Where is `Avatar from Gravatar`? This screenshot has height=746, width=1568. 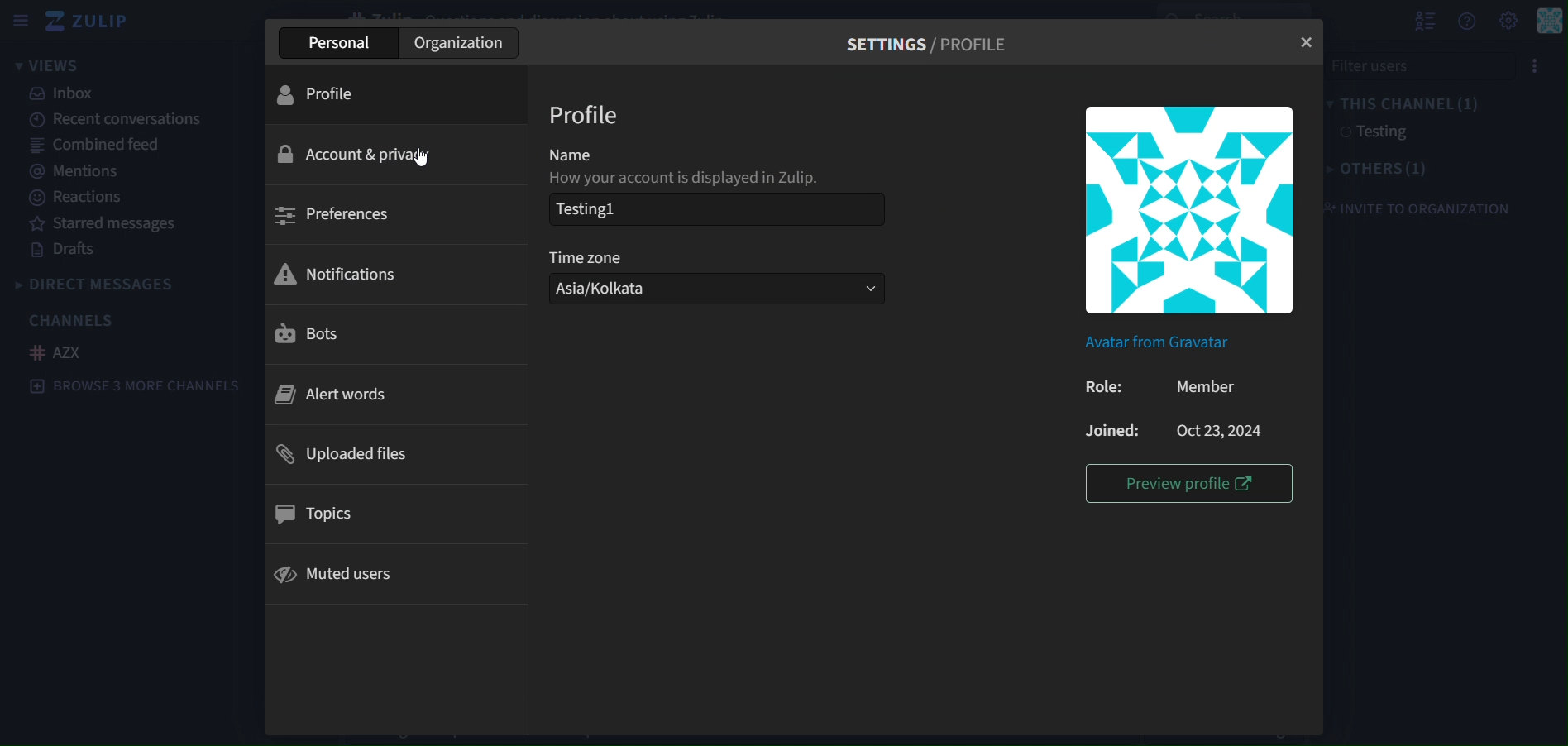 Avatar from Gravatar is located at coordinates (1172, 347).